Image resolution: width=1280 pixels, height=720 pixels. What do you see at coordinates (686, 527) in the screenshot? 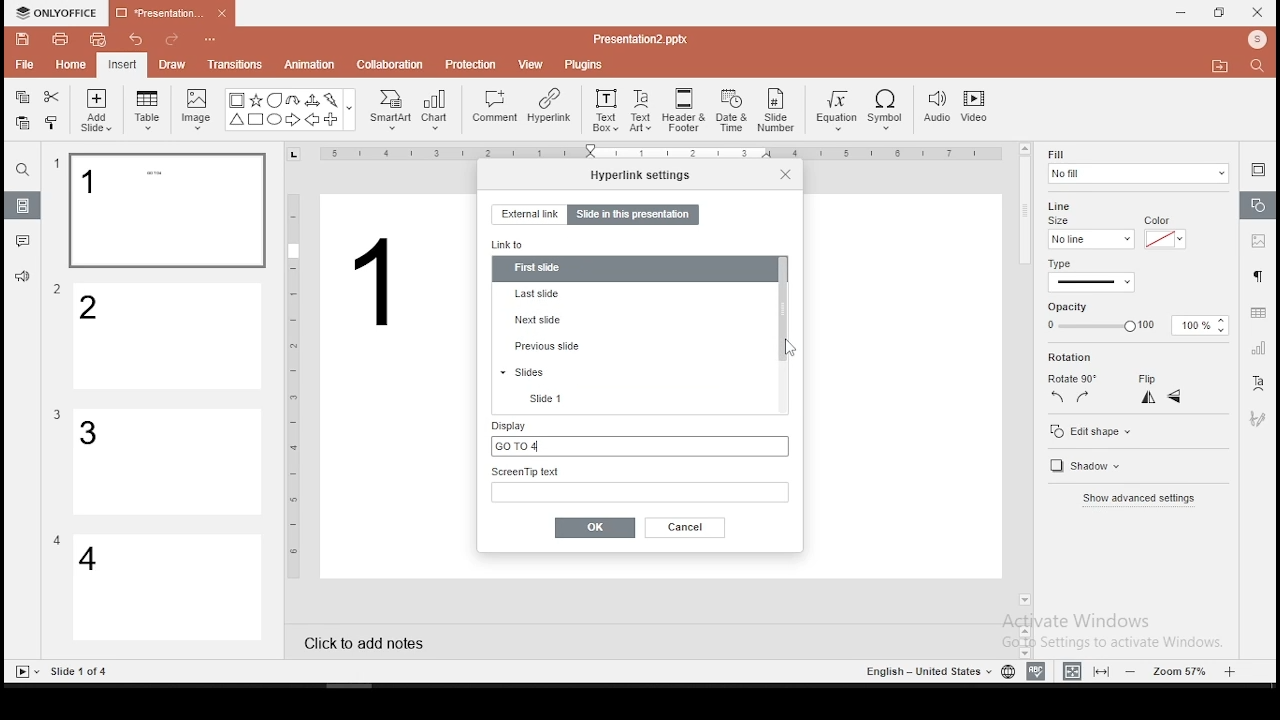
I see `cancel` at bounding box center [686, 527].